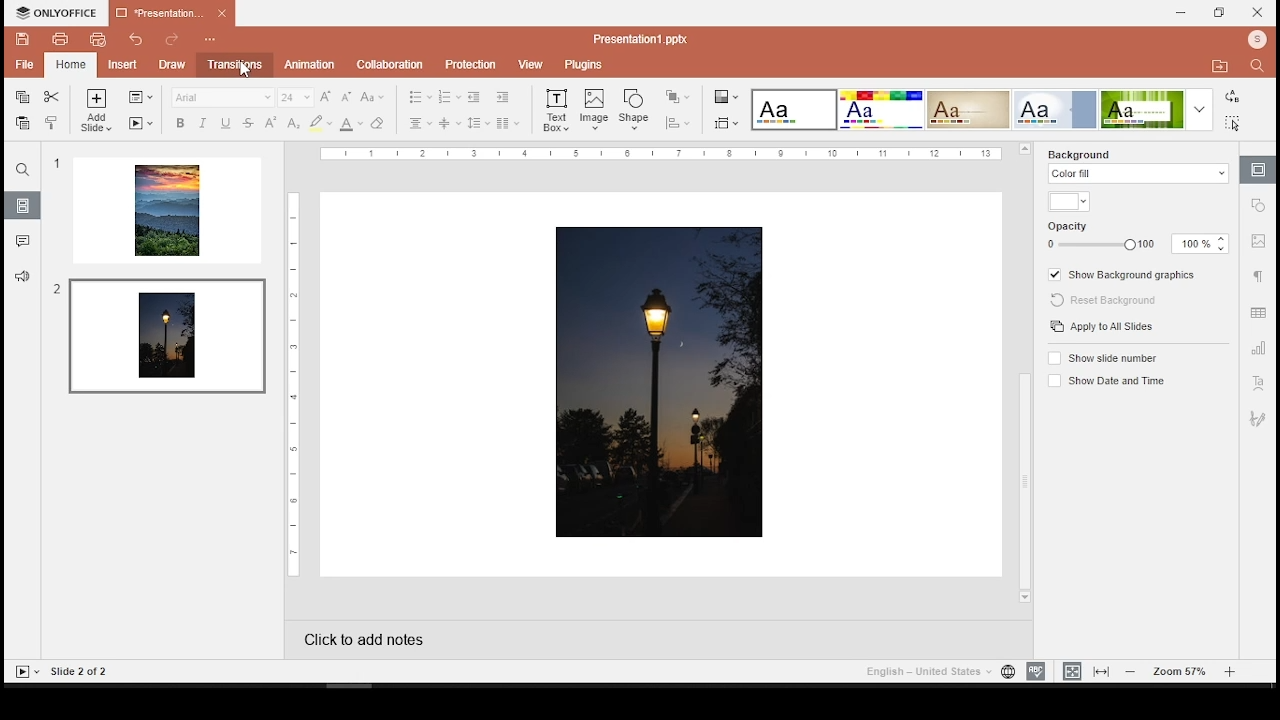 The width and height of the screenshot is (1280, 720). What do you see at coordinates (97, 111) in the screenshot?
I see `add slide` at bounding box center [97, 111].